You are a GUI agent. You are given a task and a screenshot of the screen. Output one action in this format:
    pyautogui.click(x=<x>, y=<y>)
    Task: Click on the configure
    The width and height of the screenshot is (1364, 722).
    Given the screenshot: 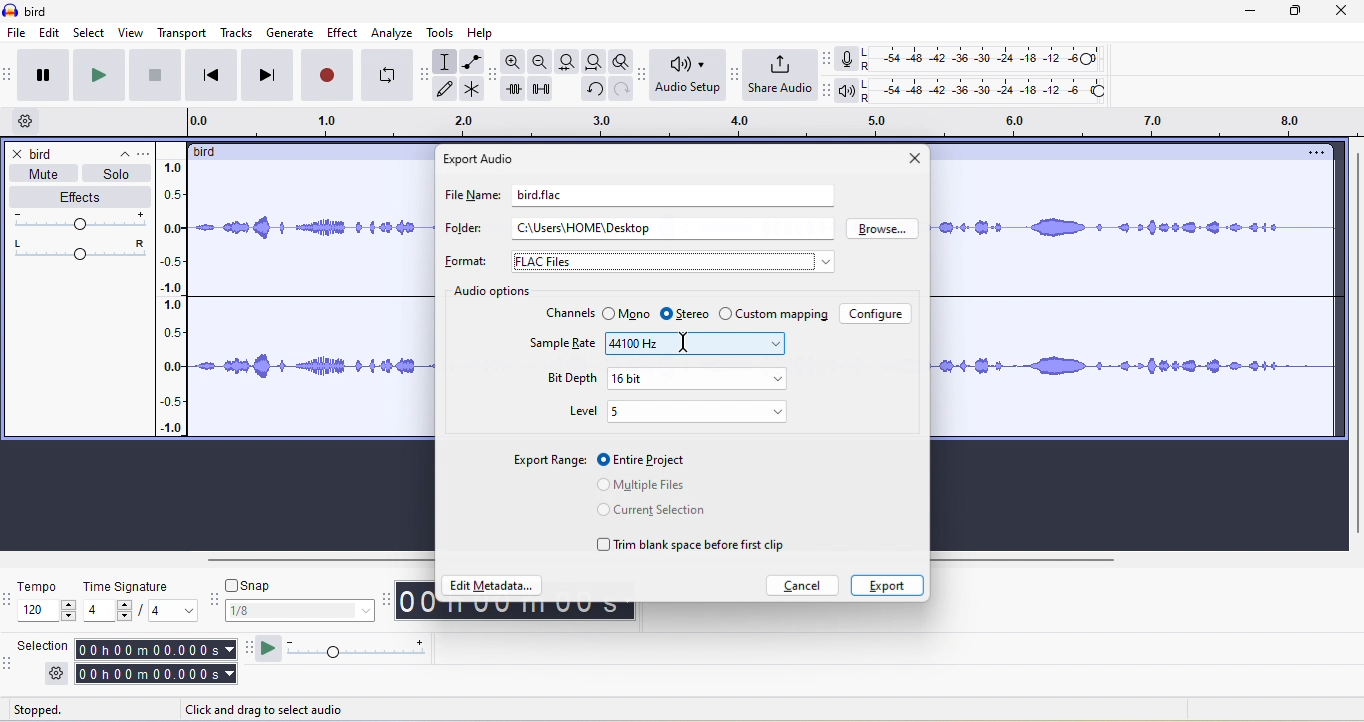 What is the action you would take?
    pyautogui.click(x=877, y=313)
    